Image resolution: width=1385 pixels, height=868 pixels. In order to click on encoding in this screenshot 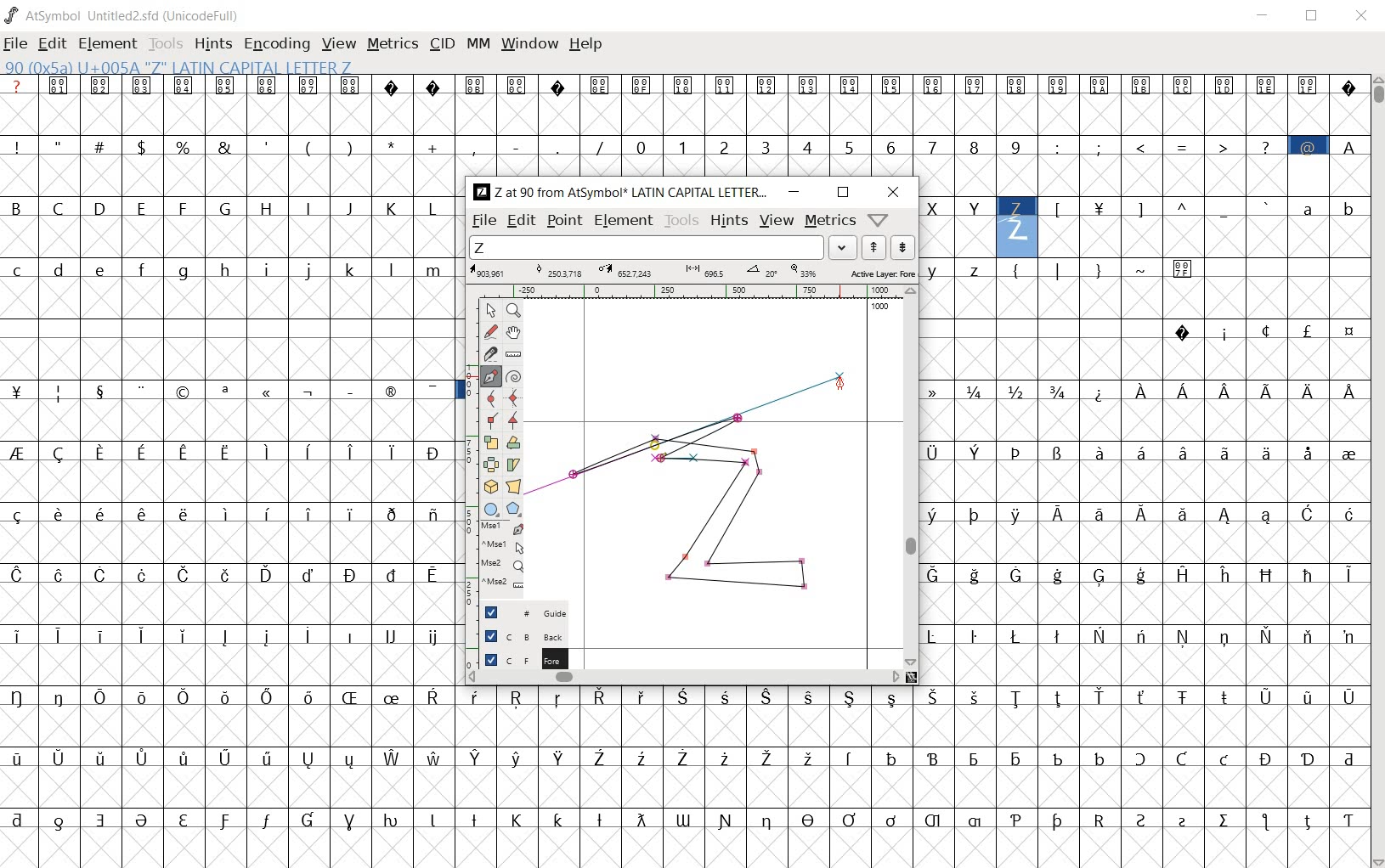, I will do `click(275, 44)`.